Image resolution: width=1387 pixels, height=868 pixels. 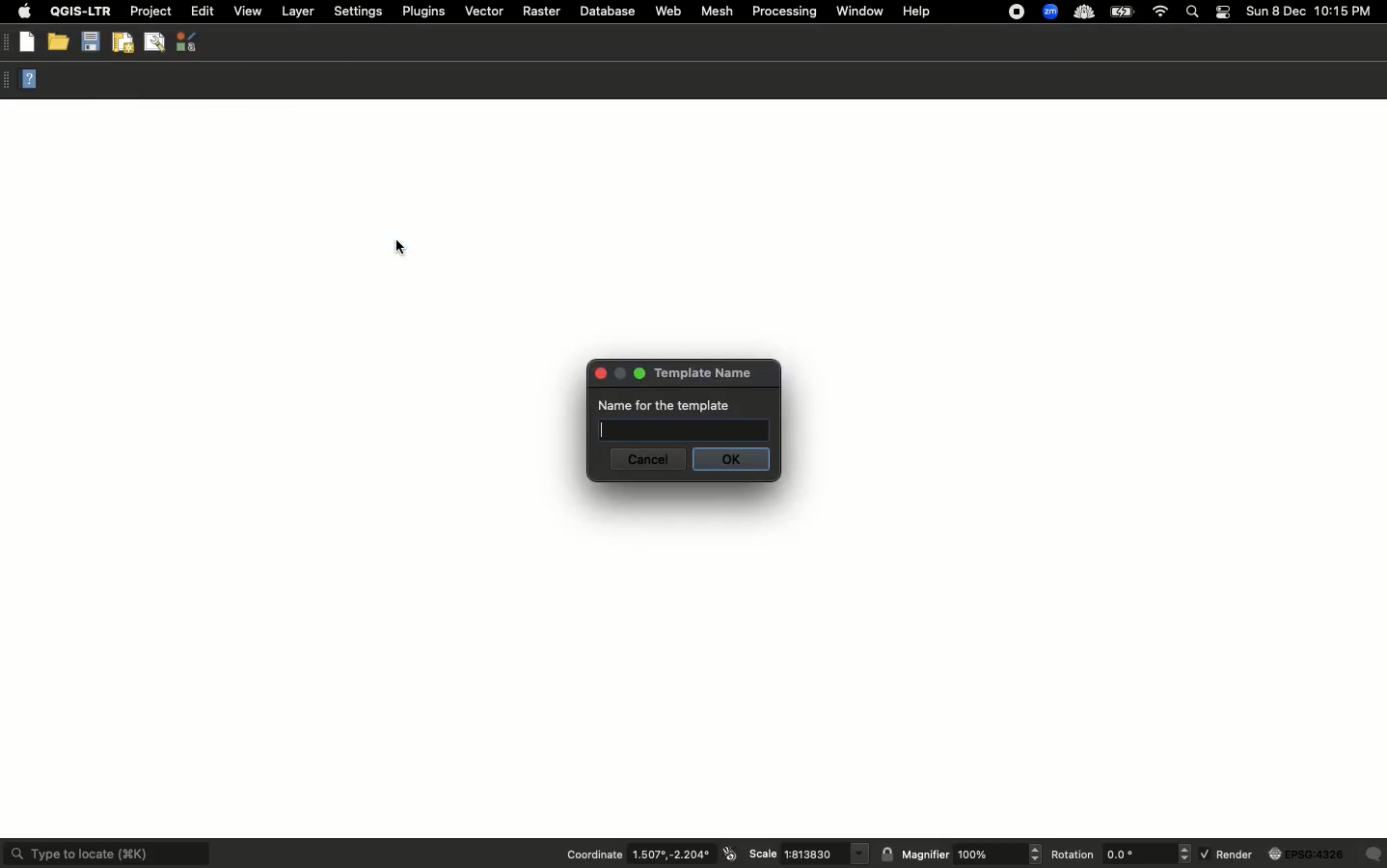 I want to click on cursor, so click(x=402, y=251).